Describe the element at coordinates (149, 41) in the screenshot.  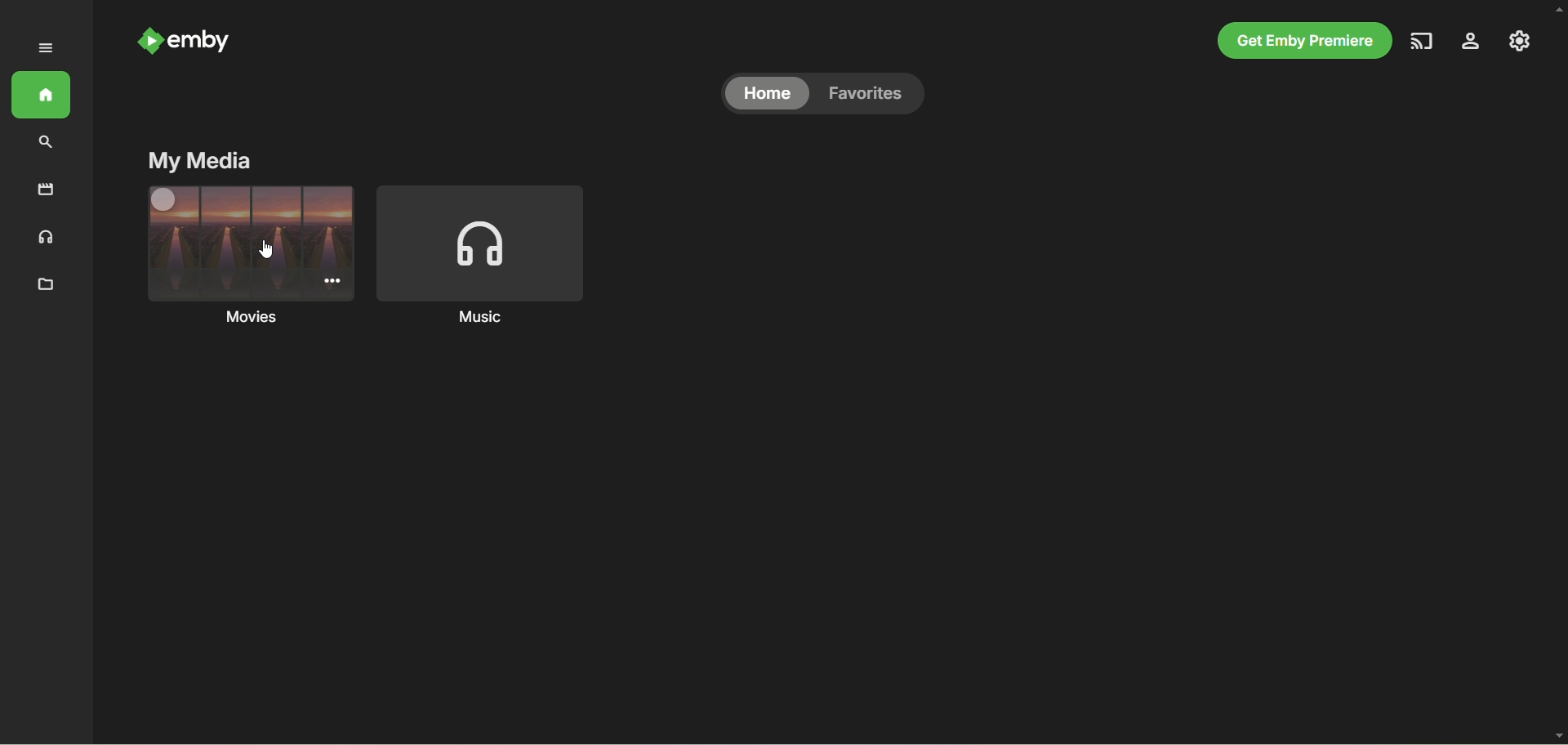
I see `logo` at that location.